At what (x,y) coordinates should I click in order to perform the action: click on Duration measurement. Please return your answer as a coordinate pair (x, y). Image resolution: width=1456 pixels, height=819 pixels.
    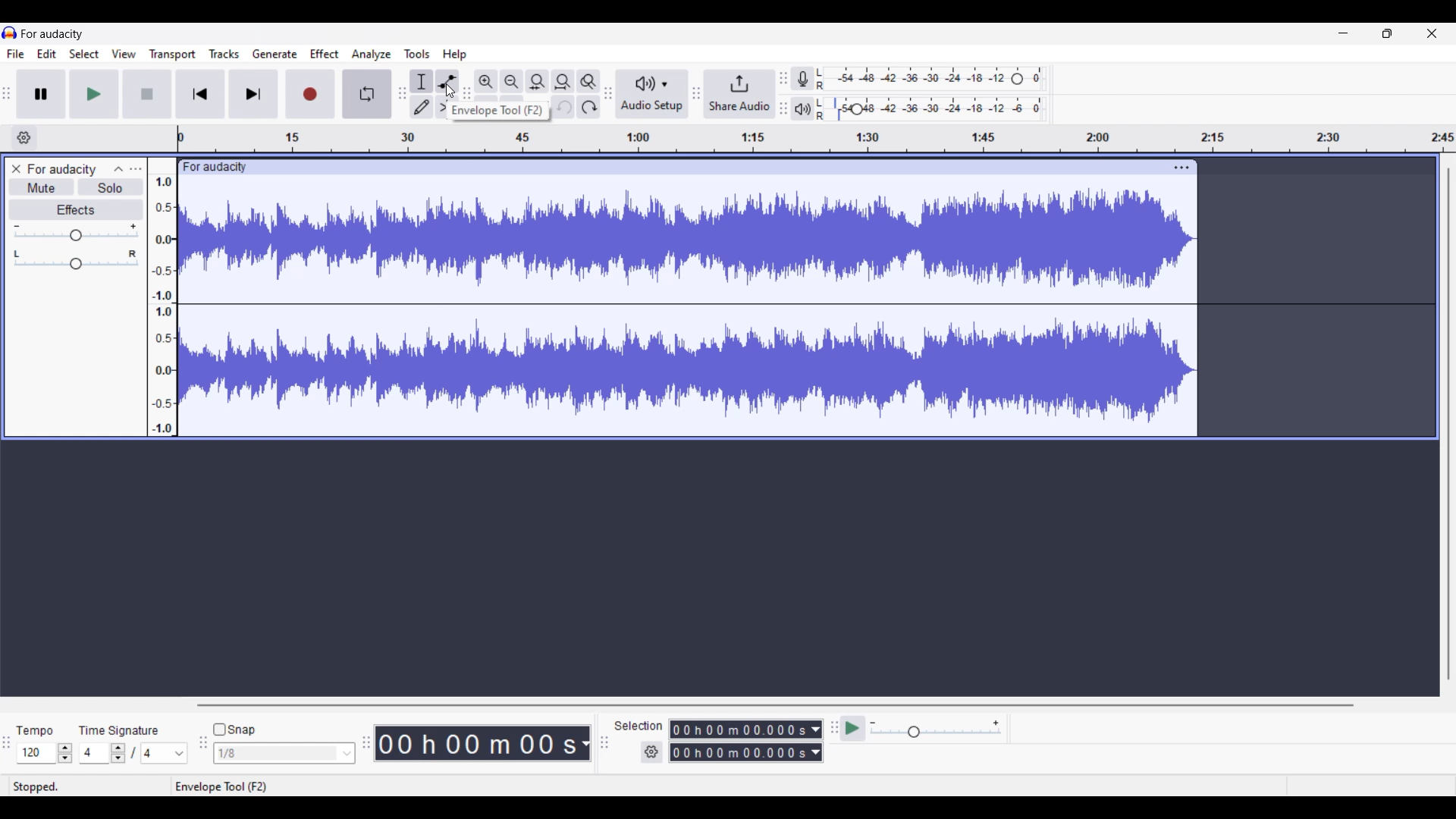
    Looking at the image, I should click on (817, 741).